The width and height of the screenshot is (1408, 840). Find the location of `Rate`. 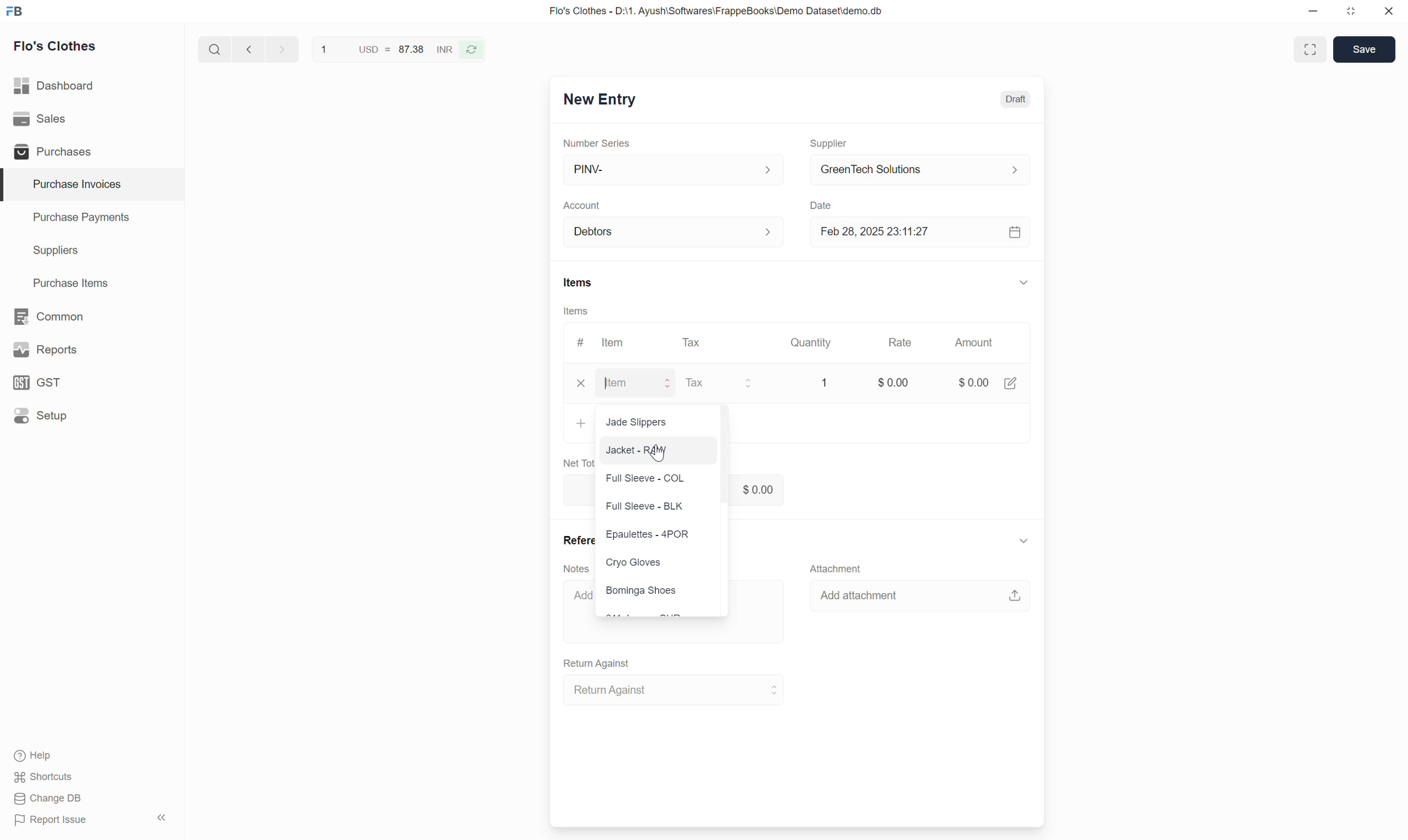

Rate is located at coordinates (903, 342).